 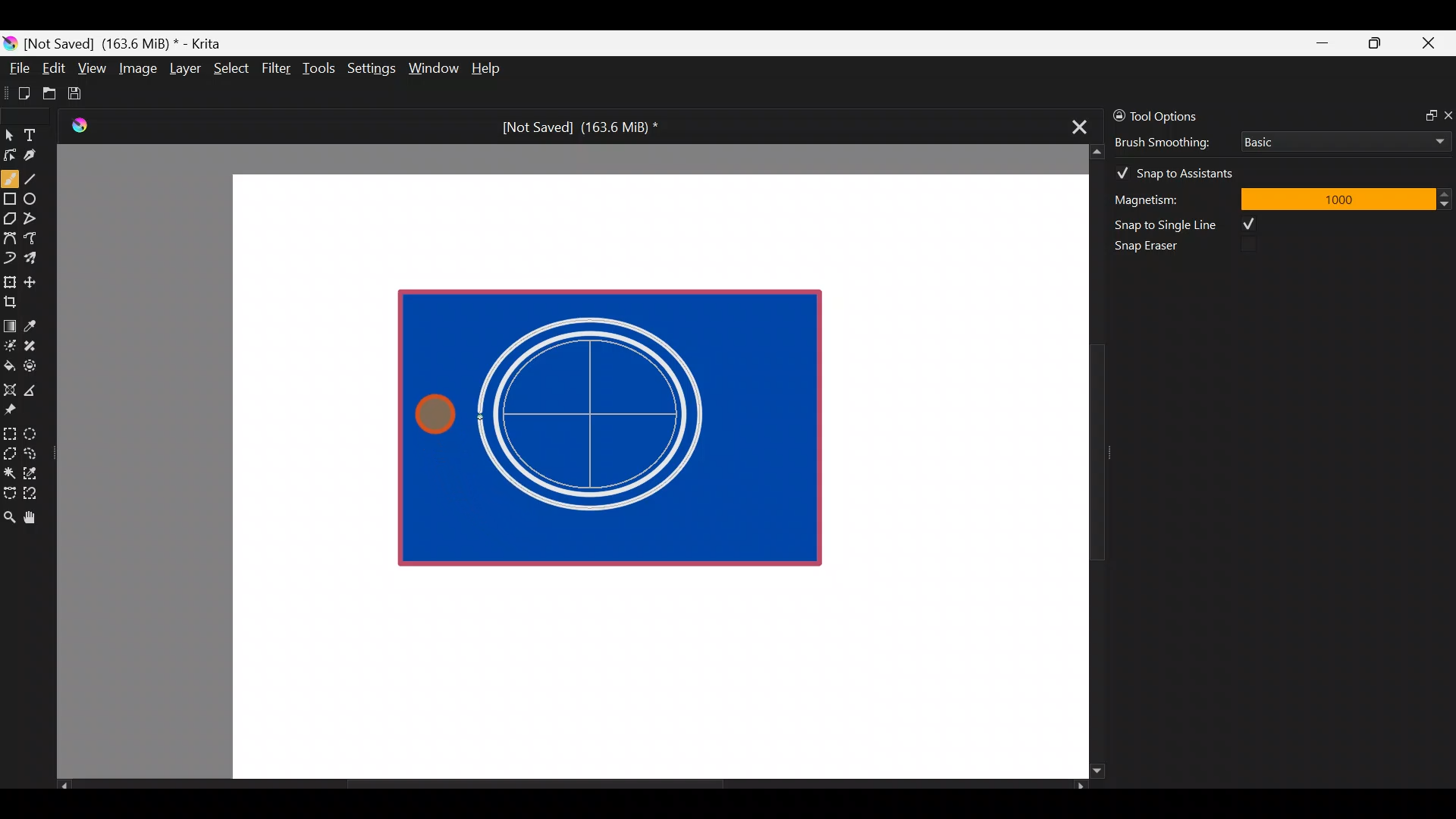 What do you see at coordinates (130, 42) in the screenshot?
I see `[Not Saved] (163.6 MiB) * - Krita` at bounding box center [130, 42].